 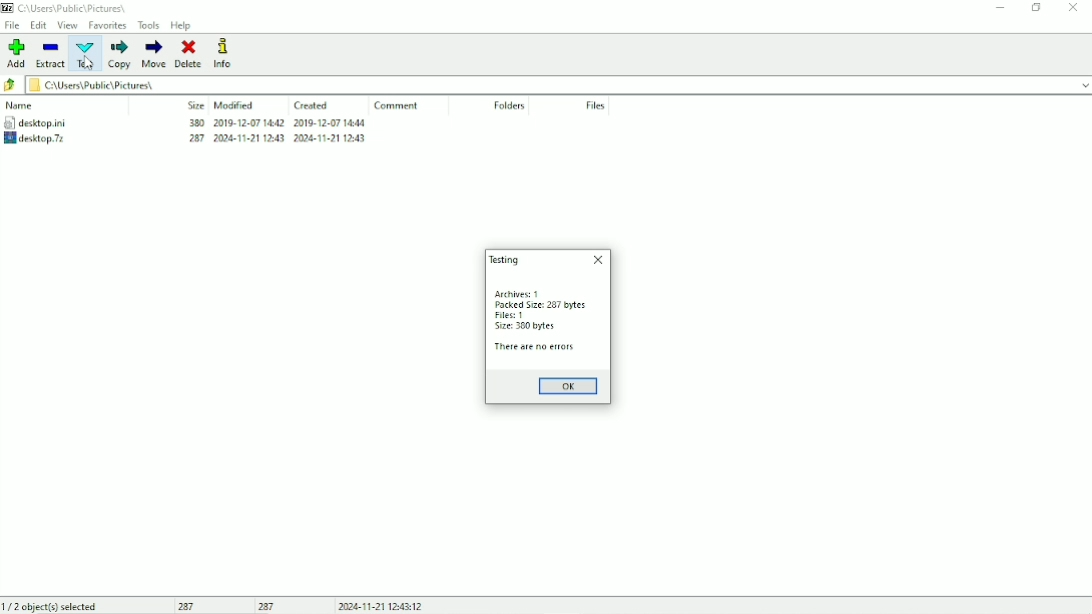 What do you see at coordinates (88, 55) in the screenshot?
I see `Test` at bounding box center [88, 55].